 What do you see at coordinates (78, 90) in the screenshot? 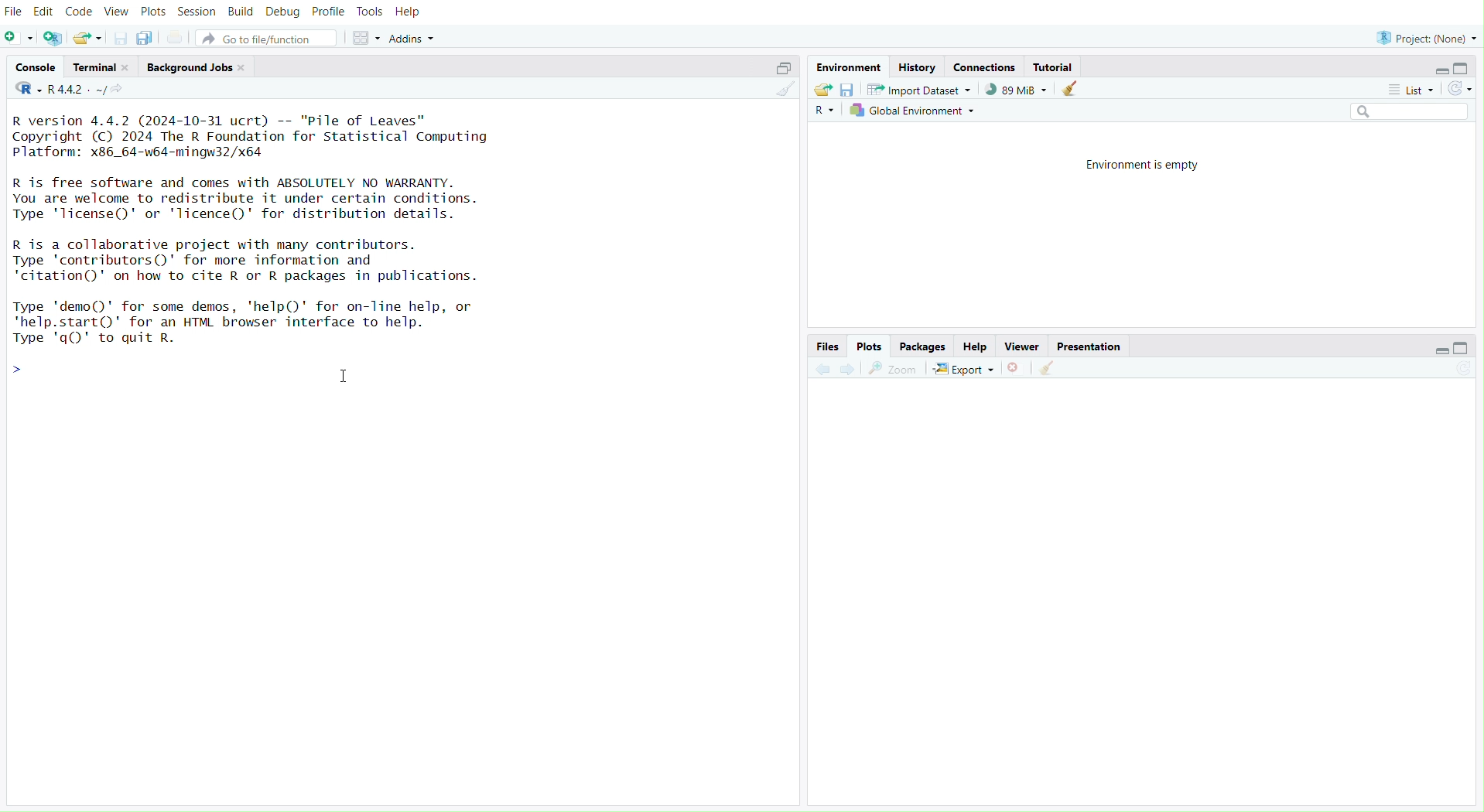
I see `R.4.4.2~/` at bounding box center [78, 90].